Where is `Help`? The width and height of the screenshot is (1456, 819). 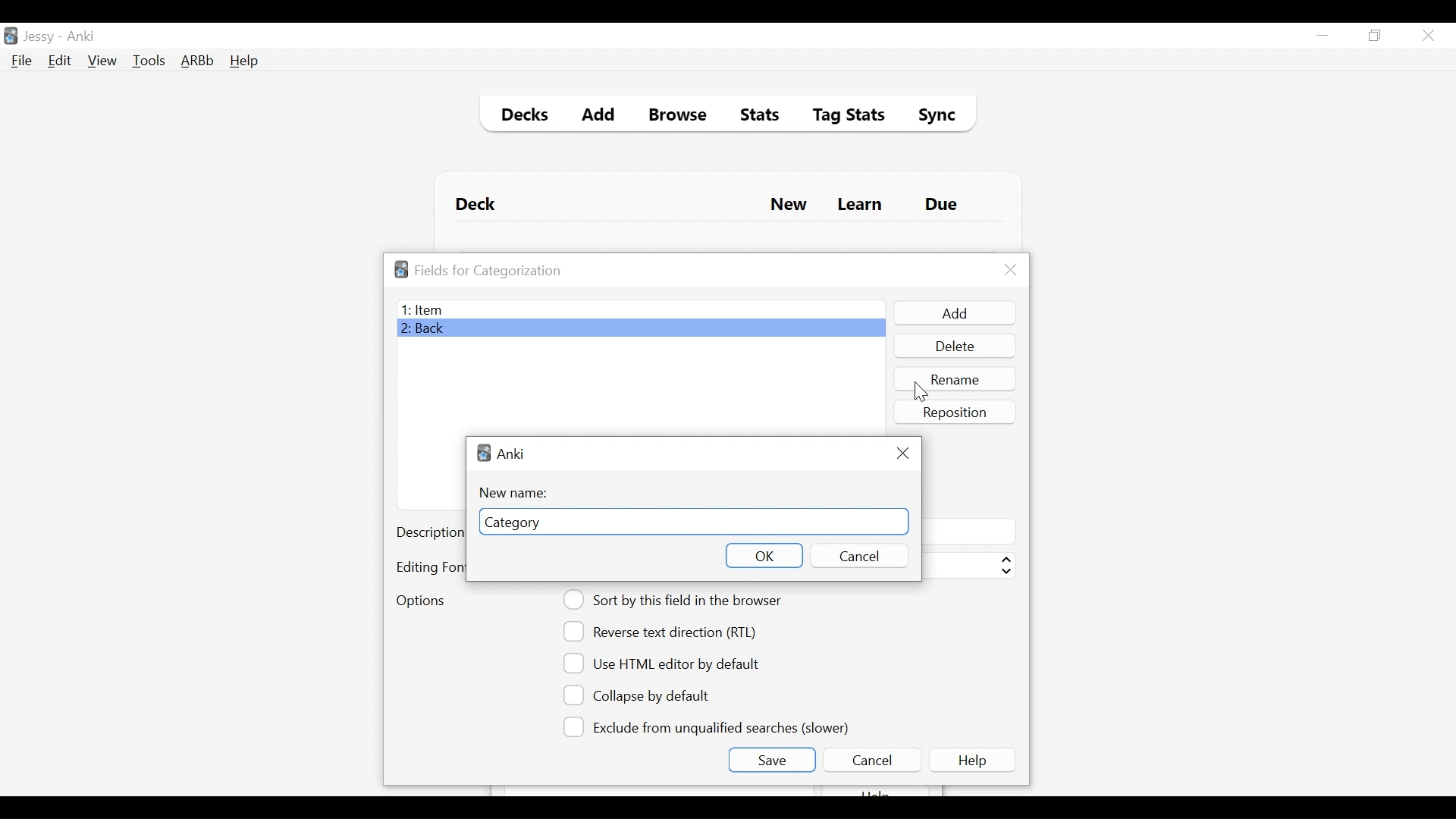
Help is located at coordinates (243, 62).